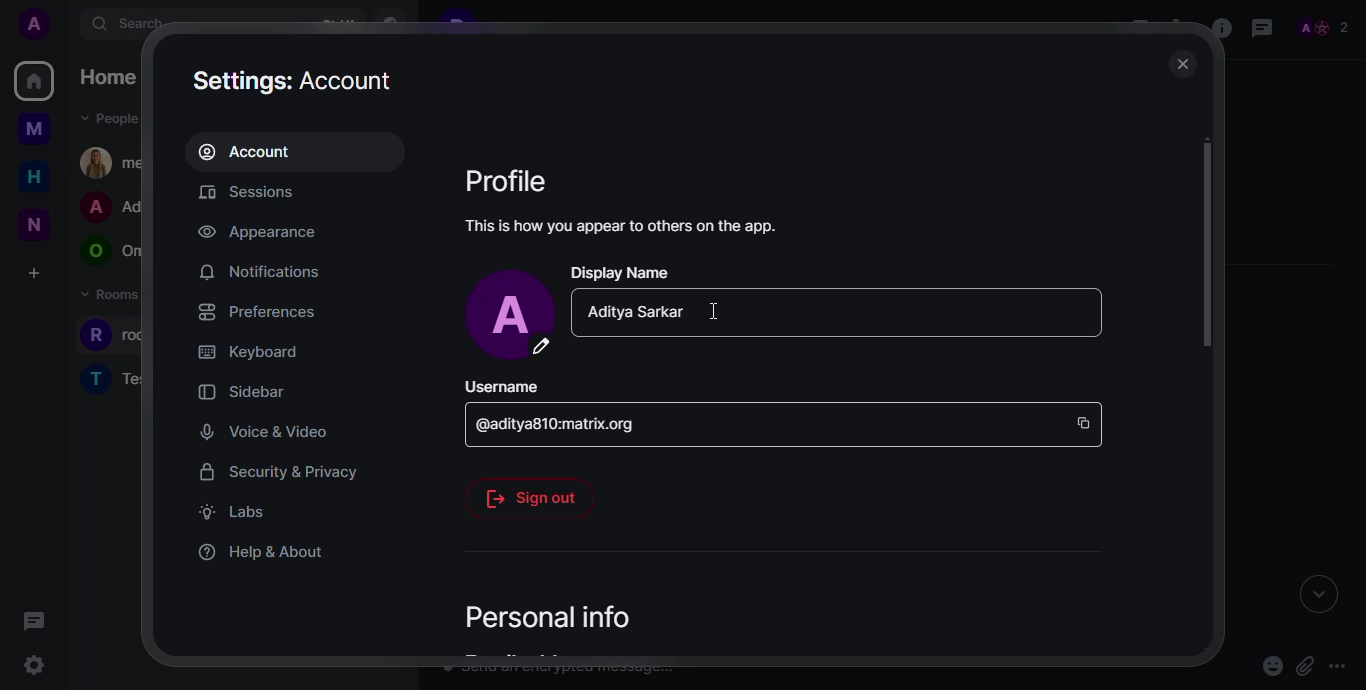 This screenshot has width=1366, height=690. Describe the element at coordinates (259, 272) in the screenshot. I see `notifications` at that location.